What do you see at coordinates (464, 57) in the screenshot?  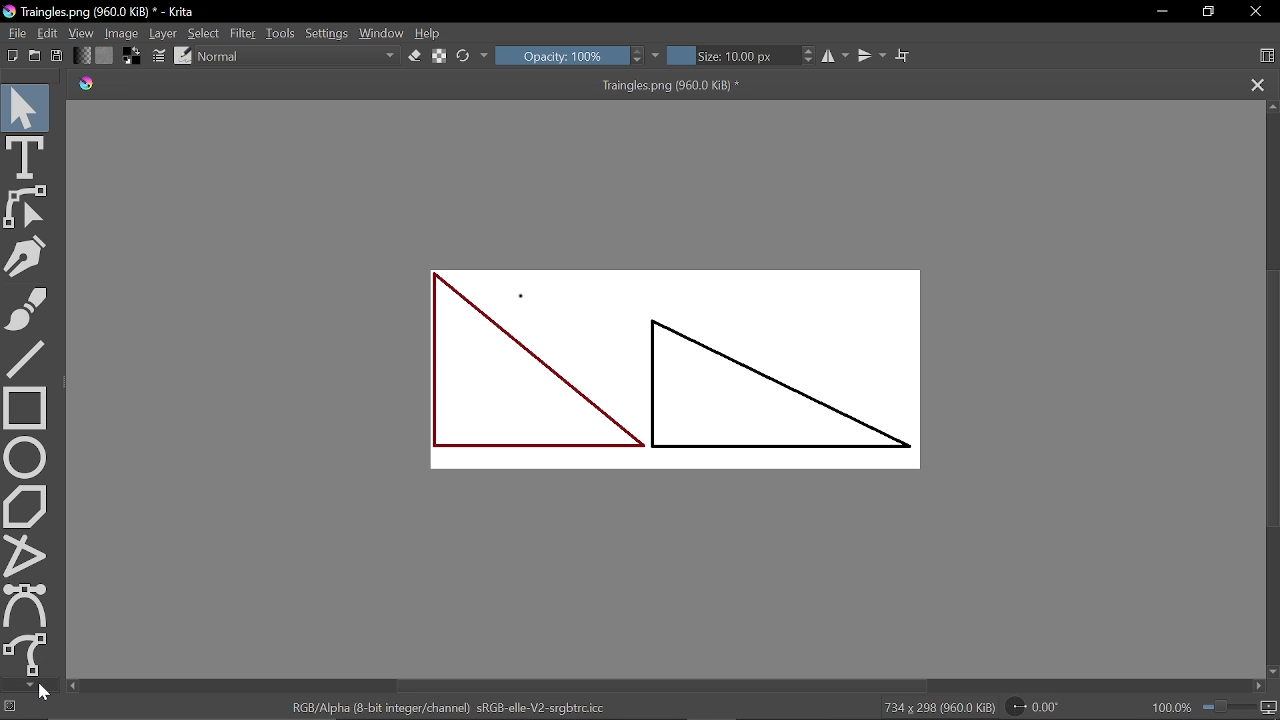 I see `Reload original preset` at bounding box center [464, 57].